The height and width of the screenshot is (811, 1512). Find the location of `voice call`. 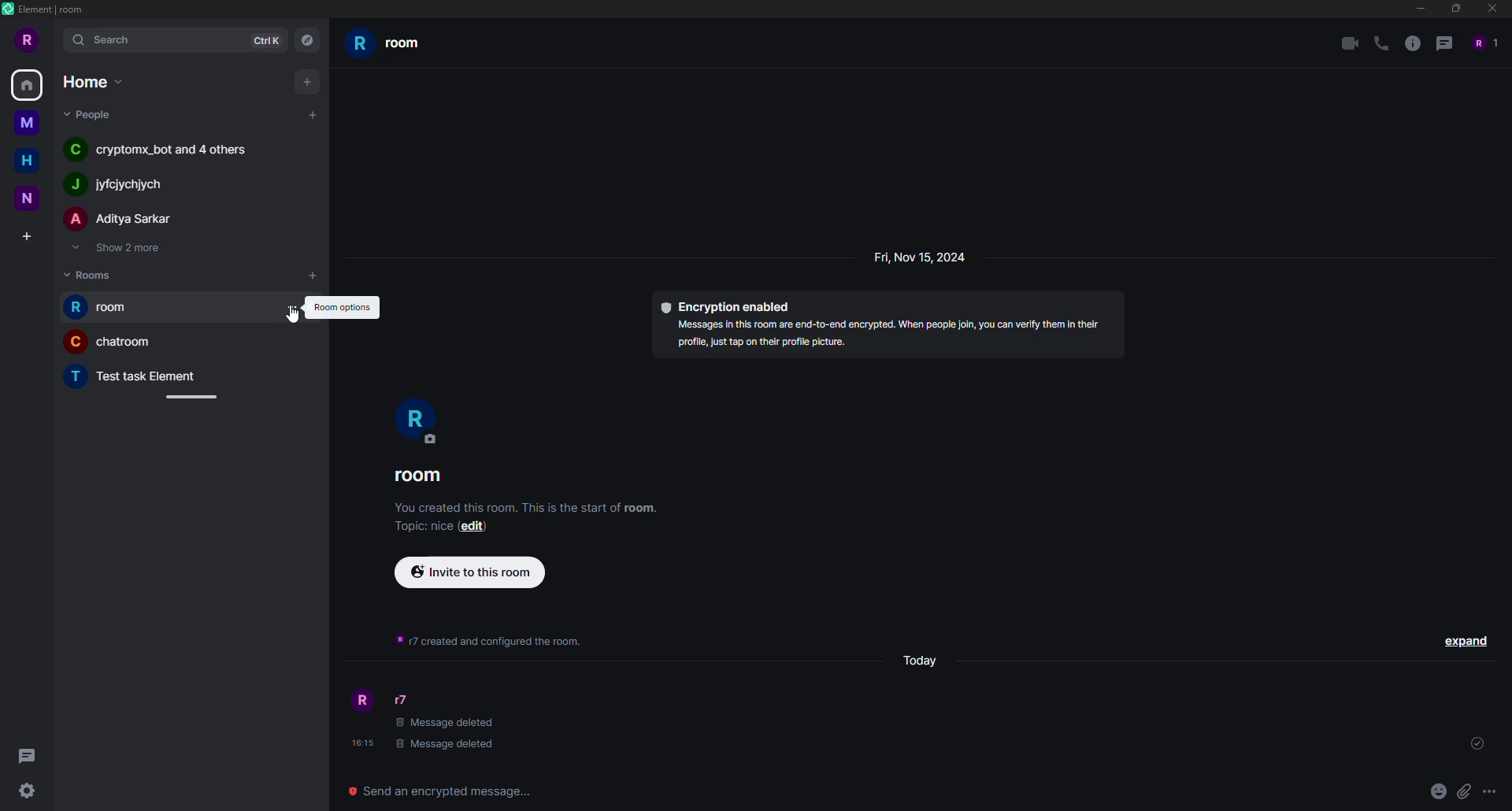

voice call is located at coordinates (1378, 43).